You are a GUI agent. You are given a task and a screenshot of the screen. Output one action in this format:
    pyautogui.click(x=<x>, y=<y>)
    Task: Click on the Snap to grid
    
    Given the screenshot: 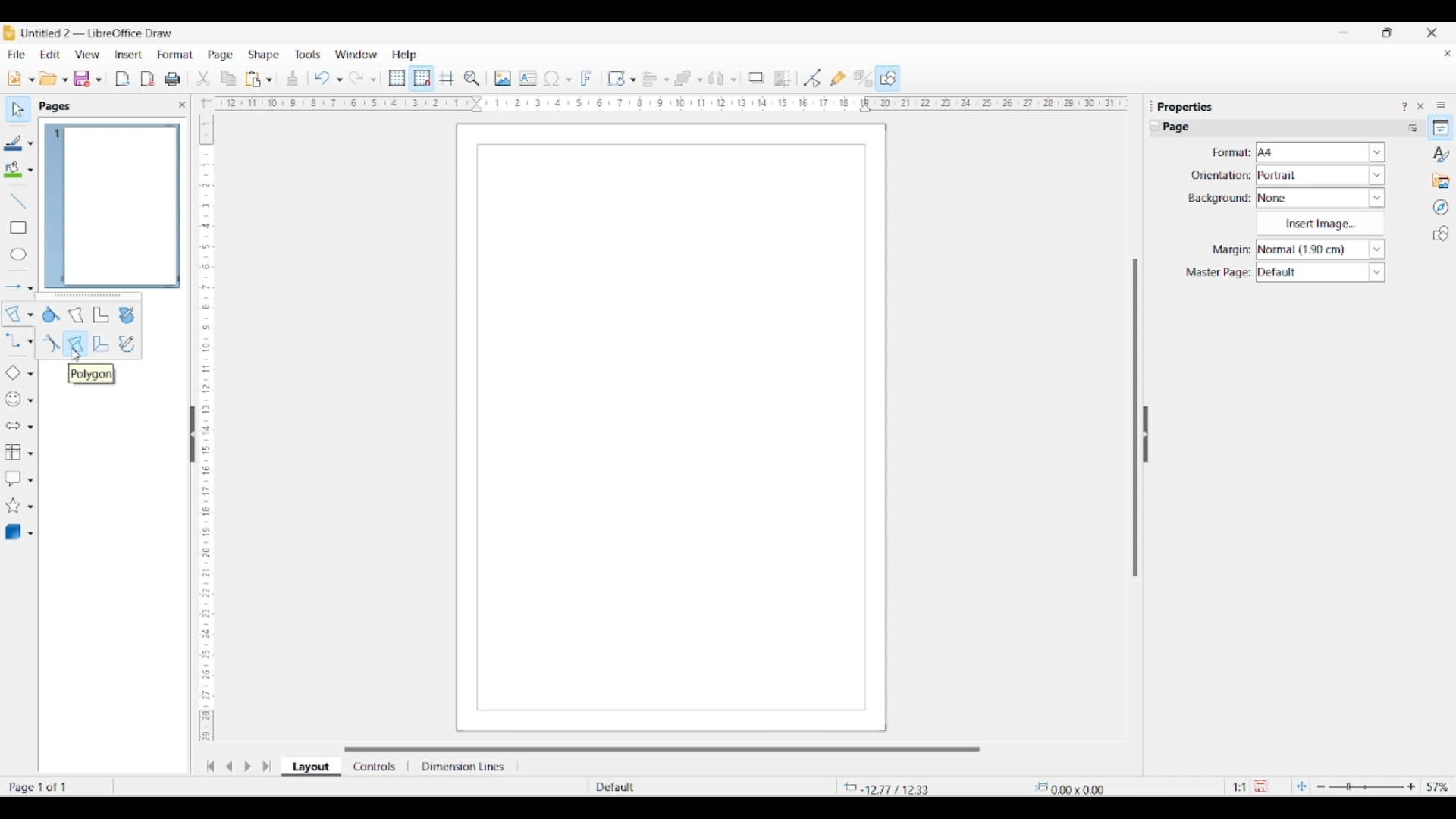 What is the action you would take?
    pyautogui.click(x=422, y=79)
    